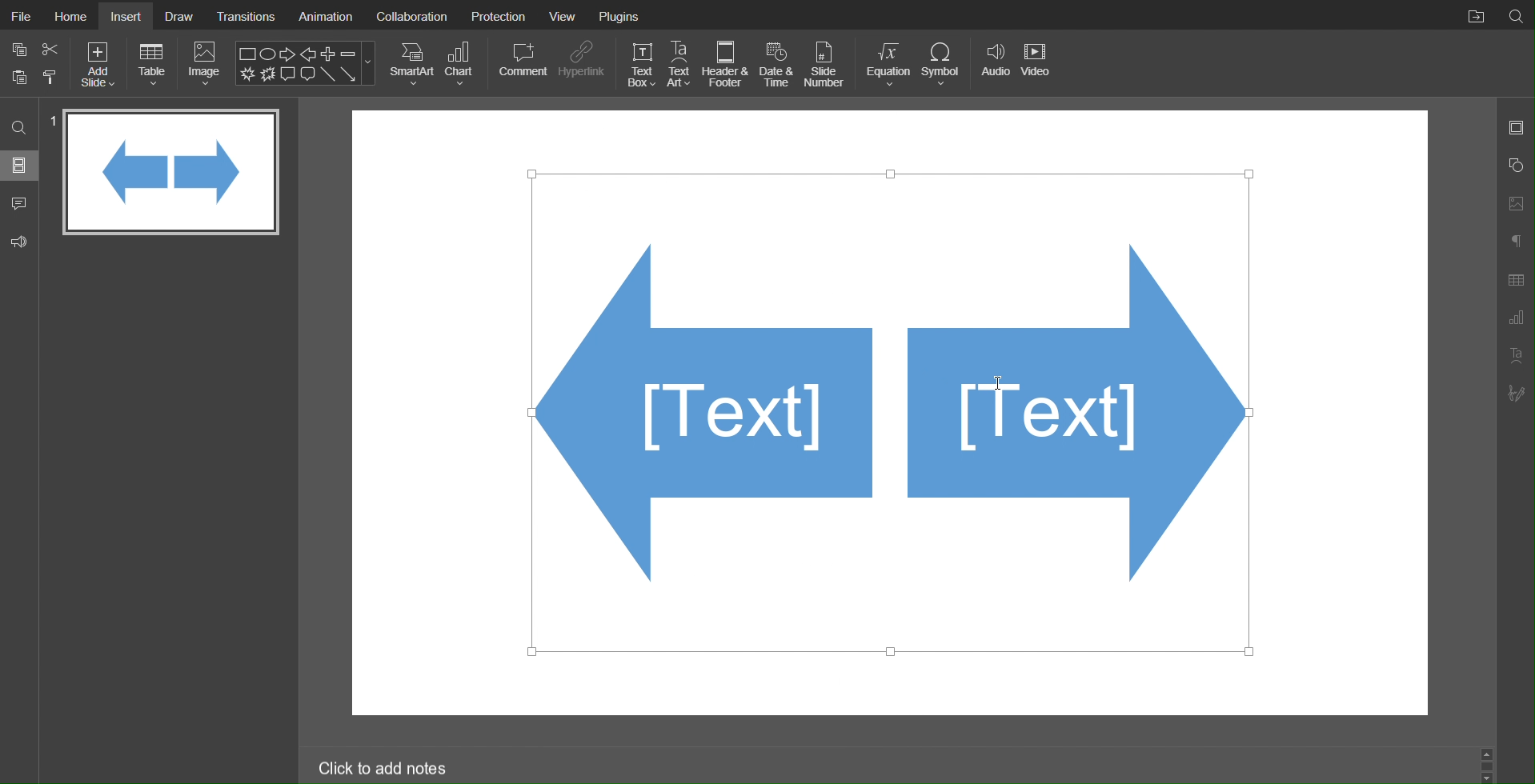  What do you see at coordinates (1472, 14) in the screenshot?
I see `Open File Location` at bounding box center [1472, 14].